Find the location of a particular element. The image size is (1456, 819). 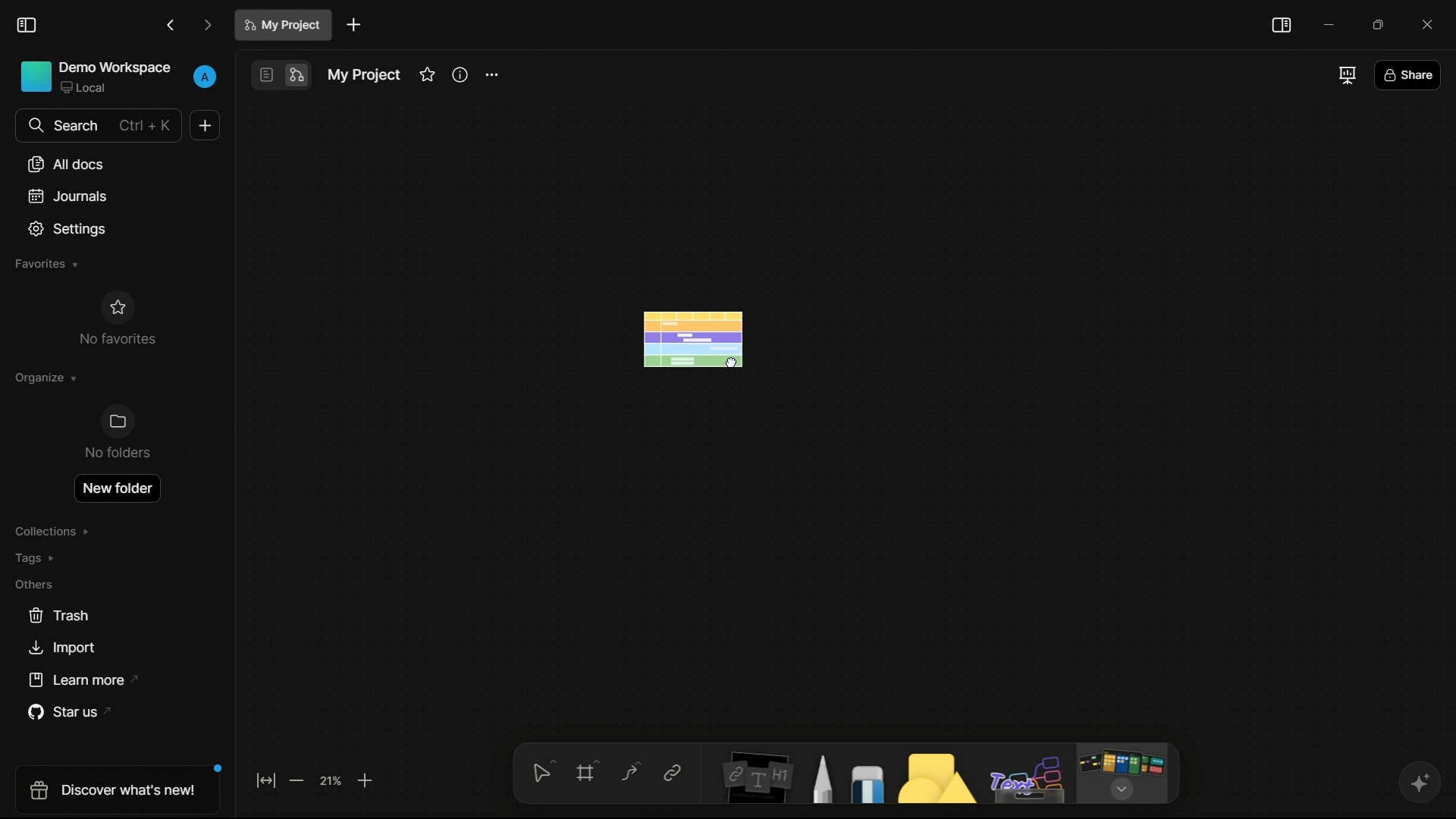

frame is located at coordinates (588, 774).